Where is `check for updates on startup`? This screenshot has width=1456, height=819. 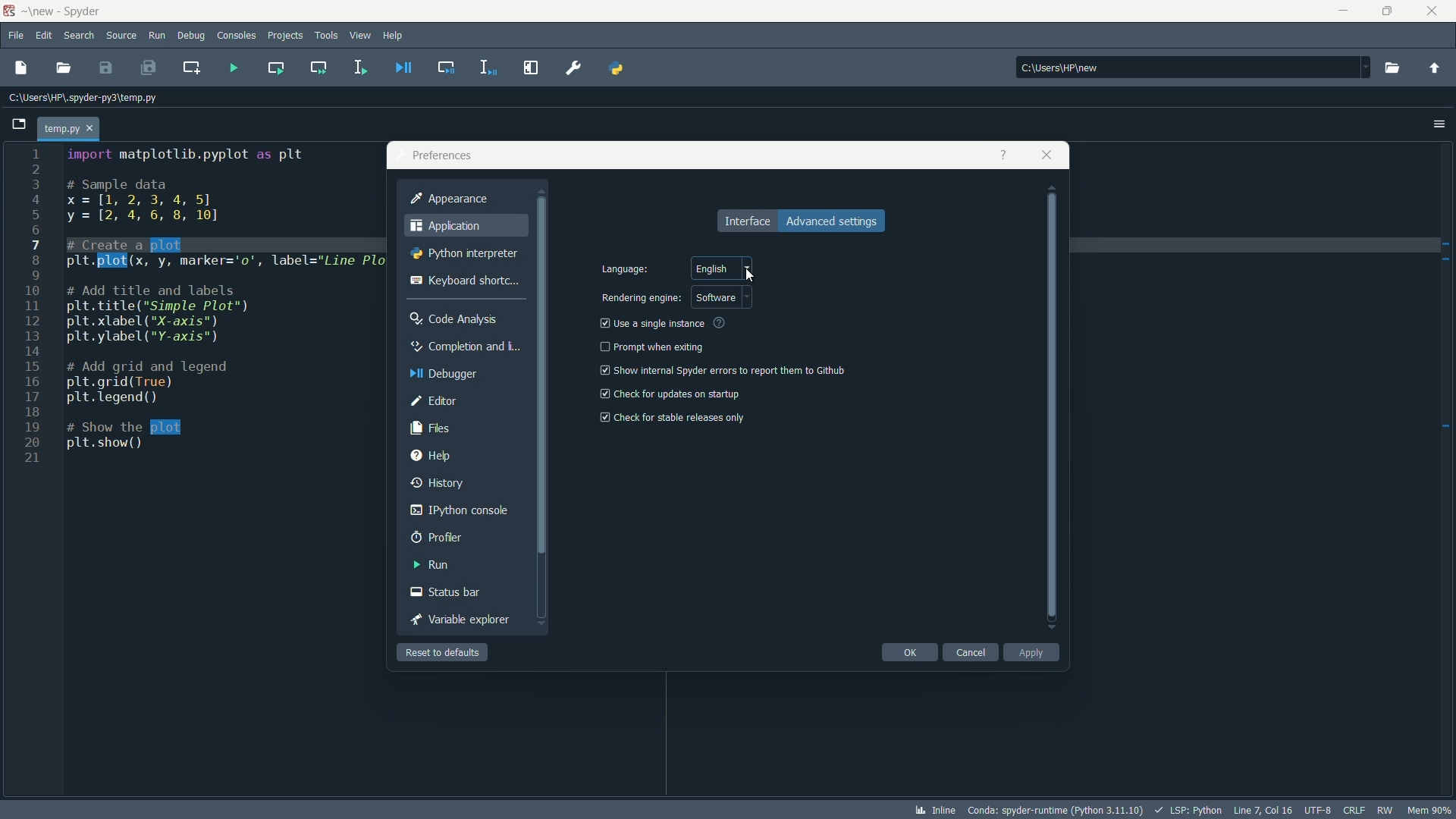
check for updates on startup is located at coordinates (679, 395).